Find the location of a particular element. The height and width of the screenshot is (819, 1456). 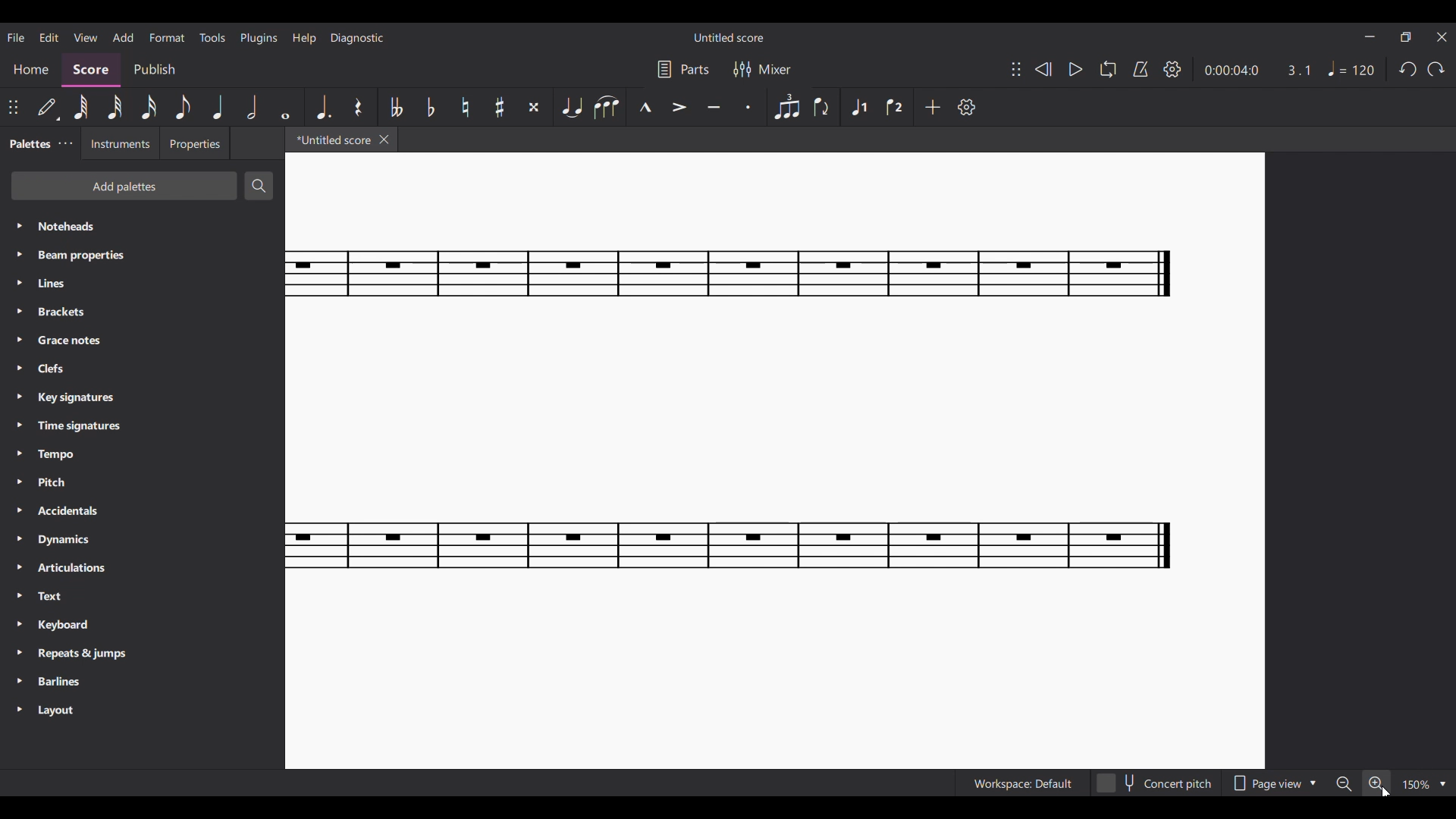

Zoom out is located at coordinates (1344, 784).